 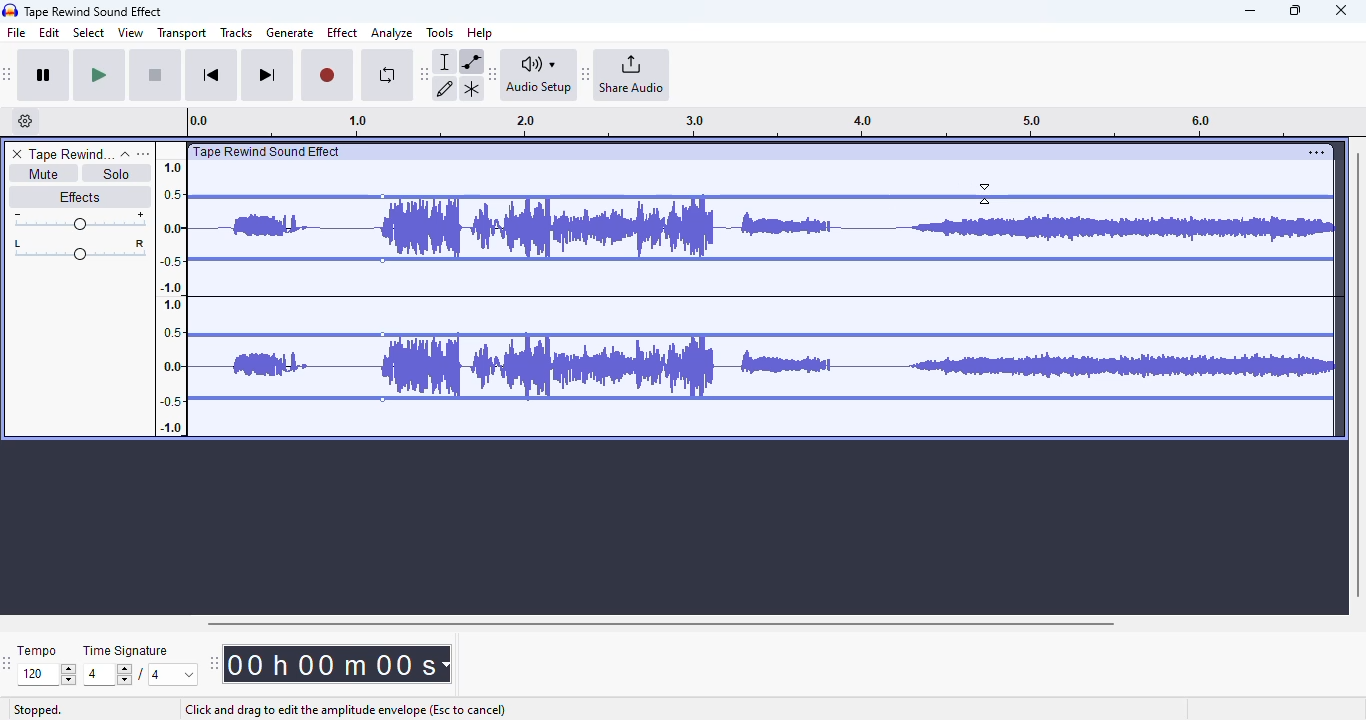 I want to click on stop, so click(x=155, y=76).